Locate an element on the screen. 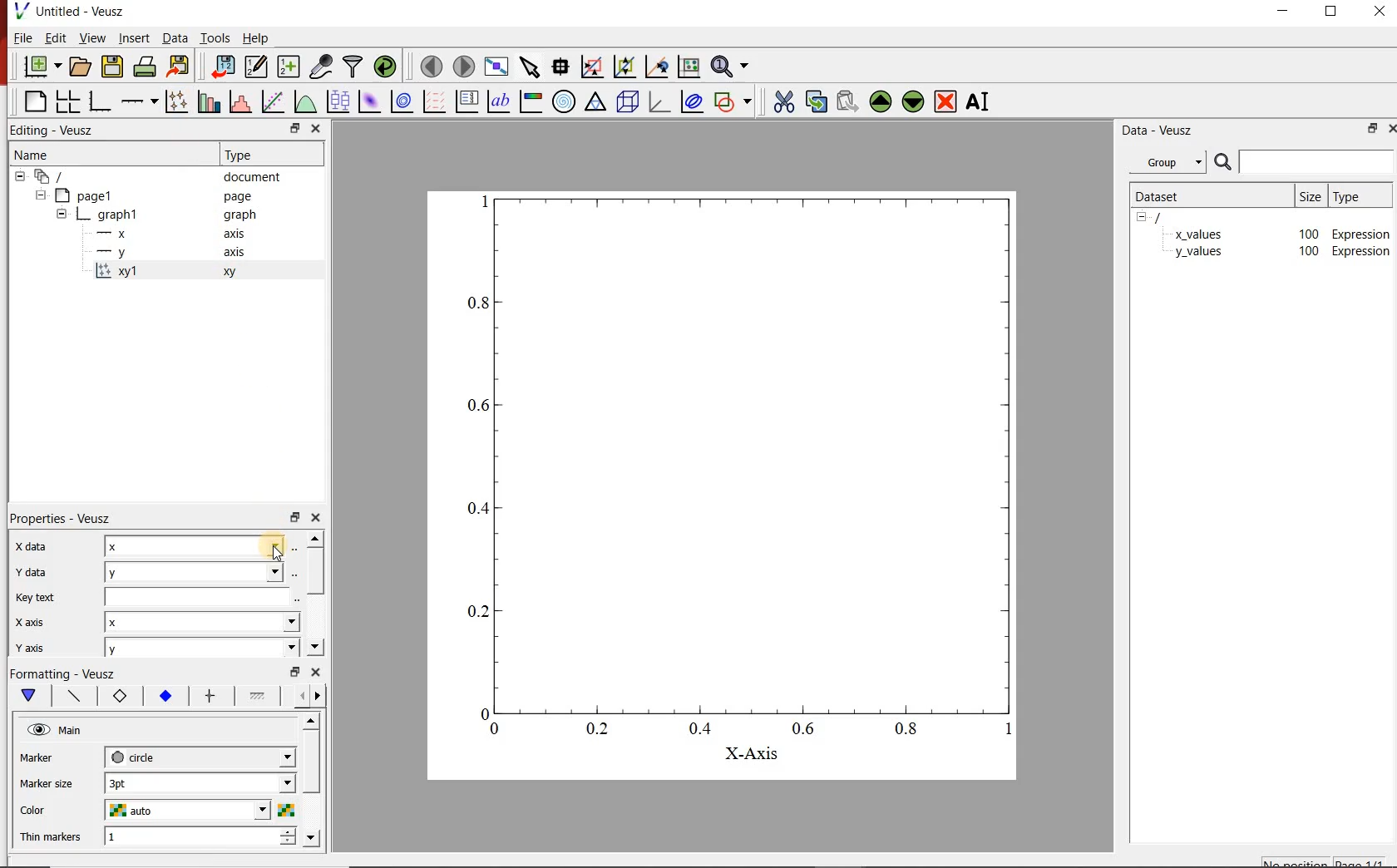  zoom functions menu is located at coordinates (730, 68).